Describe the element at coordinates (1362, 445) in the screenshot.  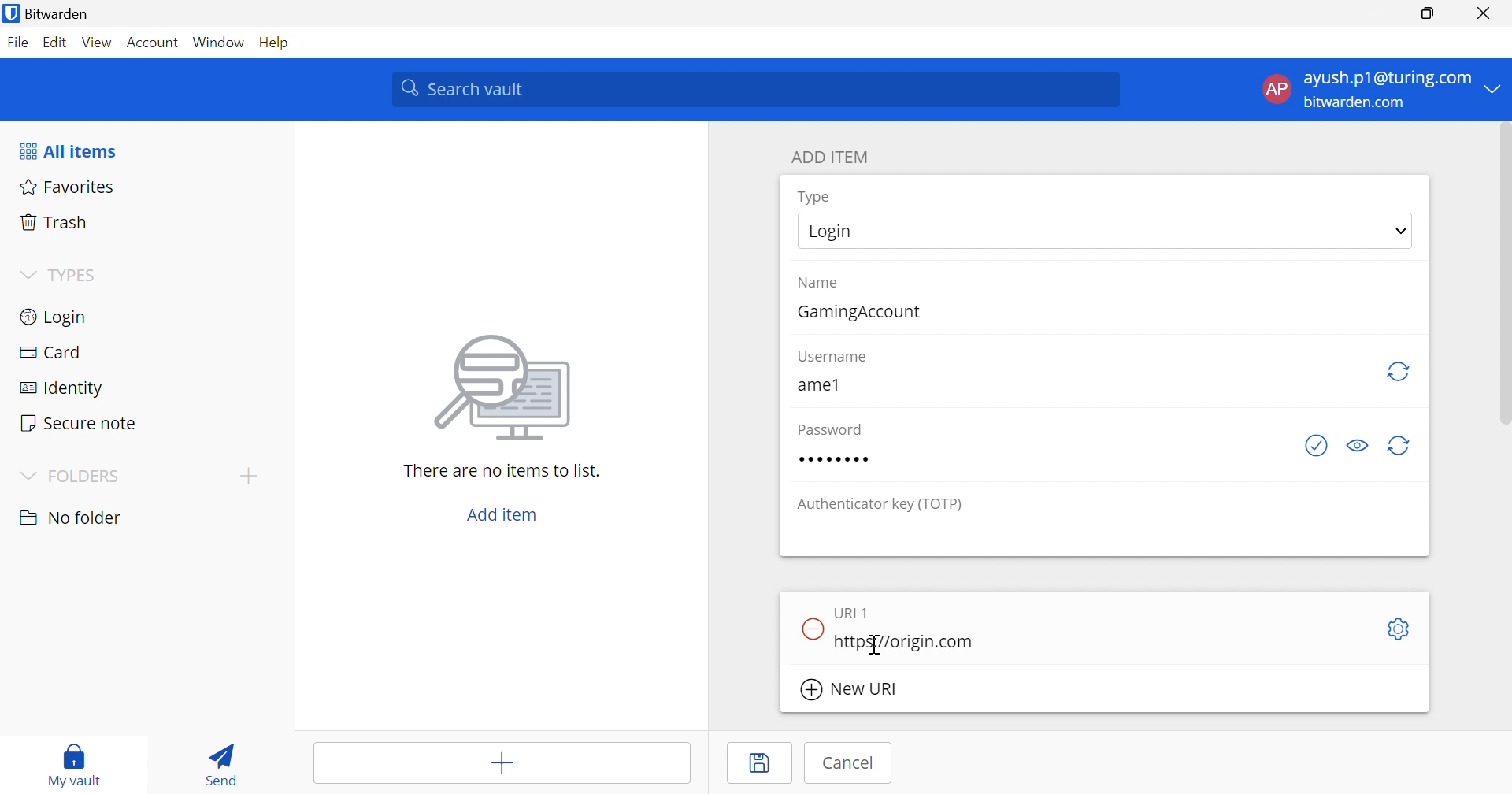
I see `Toggle visibility` at that location.